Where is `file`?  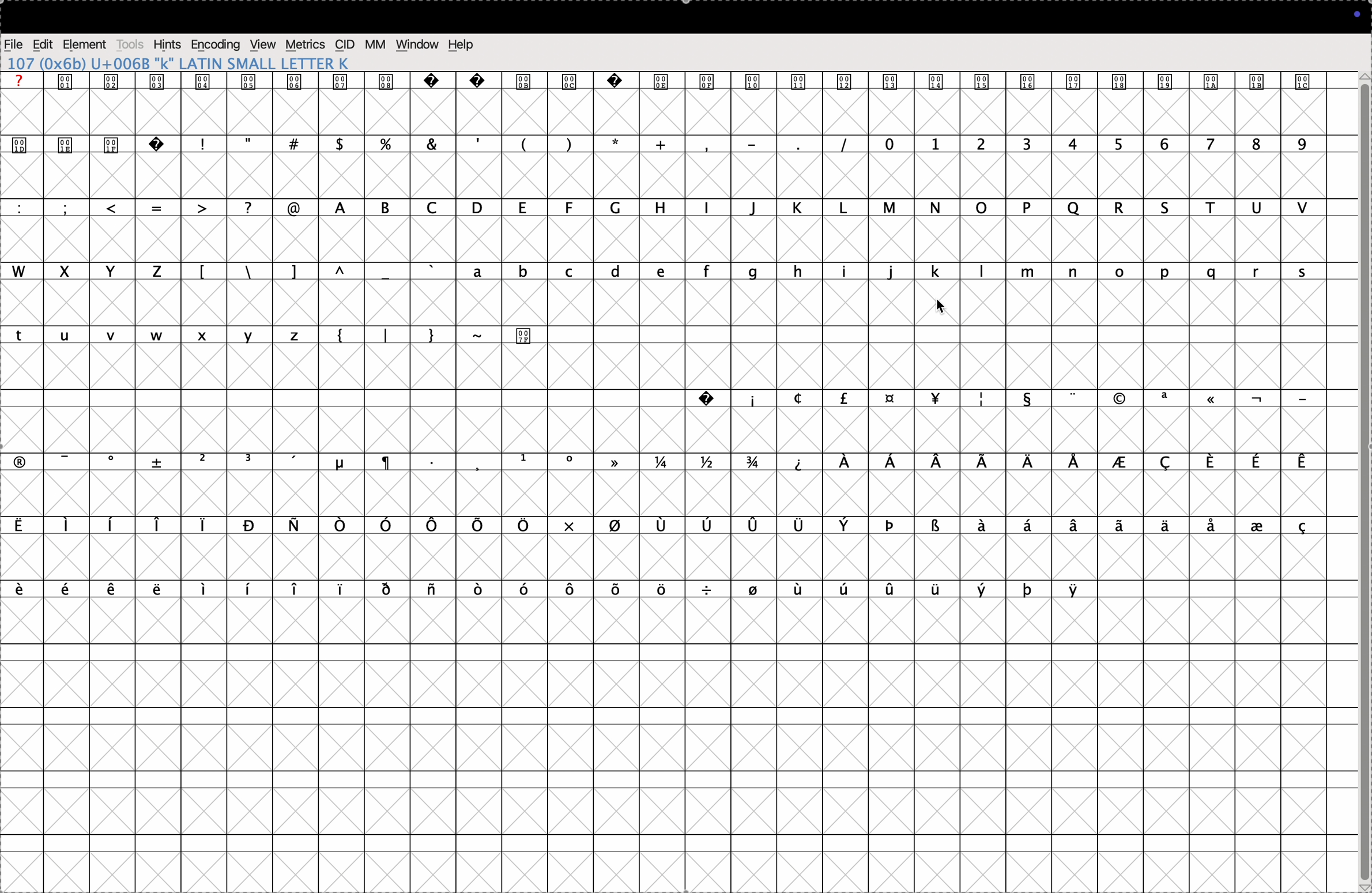 file is located at coordinates (15, 43).